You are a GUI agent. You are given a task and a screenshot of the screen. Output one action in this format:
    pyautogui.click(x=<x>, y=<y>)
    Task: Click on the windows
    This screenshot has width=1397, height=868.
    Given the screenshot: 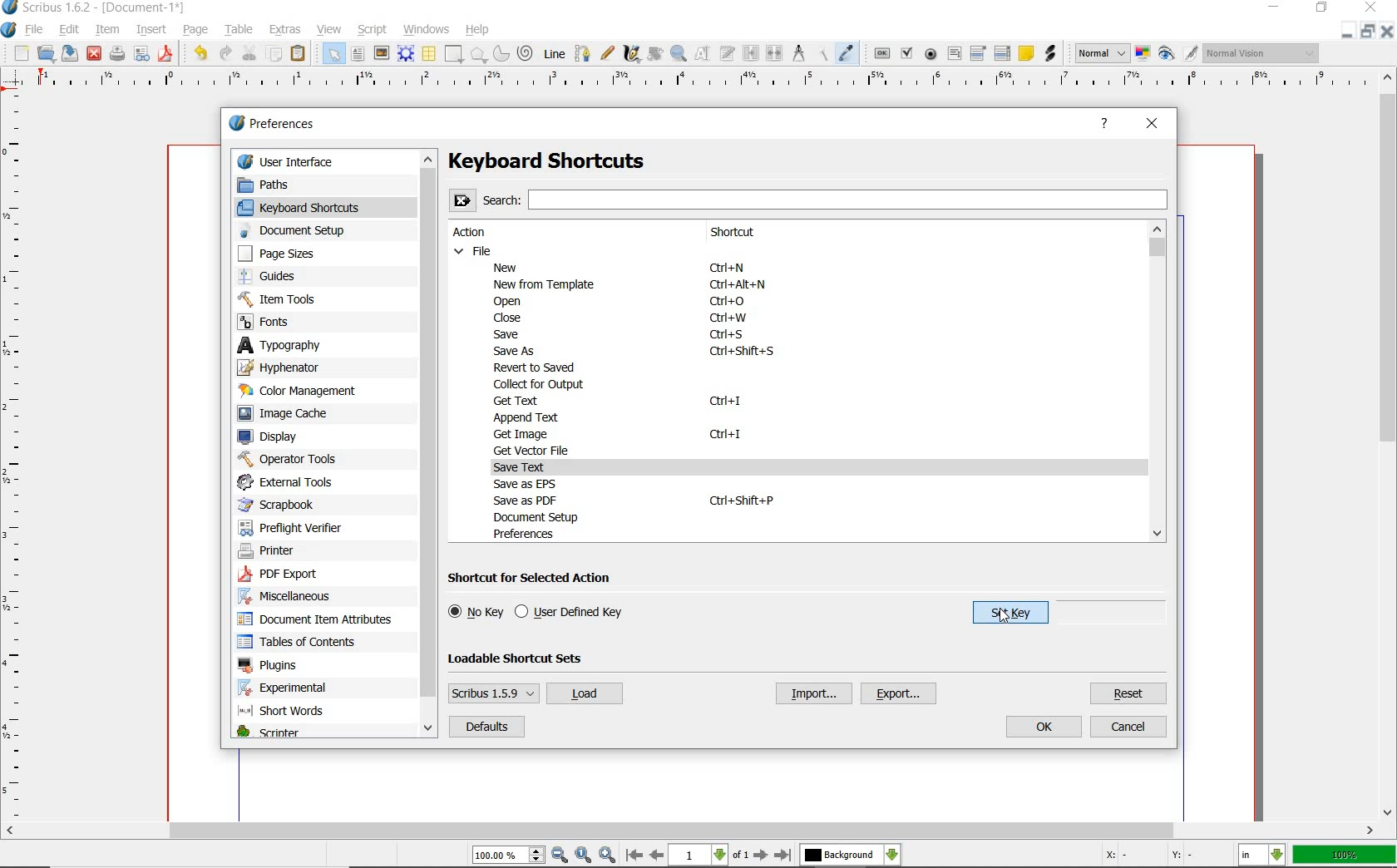 What is the action you would take?
    pyautogui.click(x=427, y=30)
    